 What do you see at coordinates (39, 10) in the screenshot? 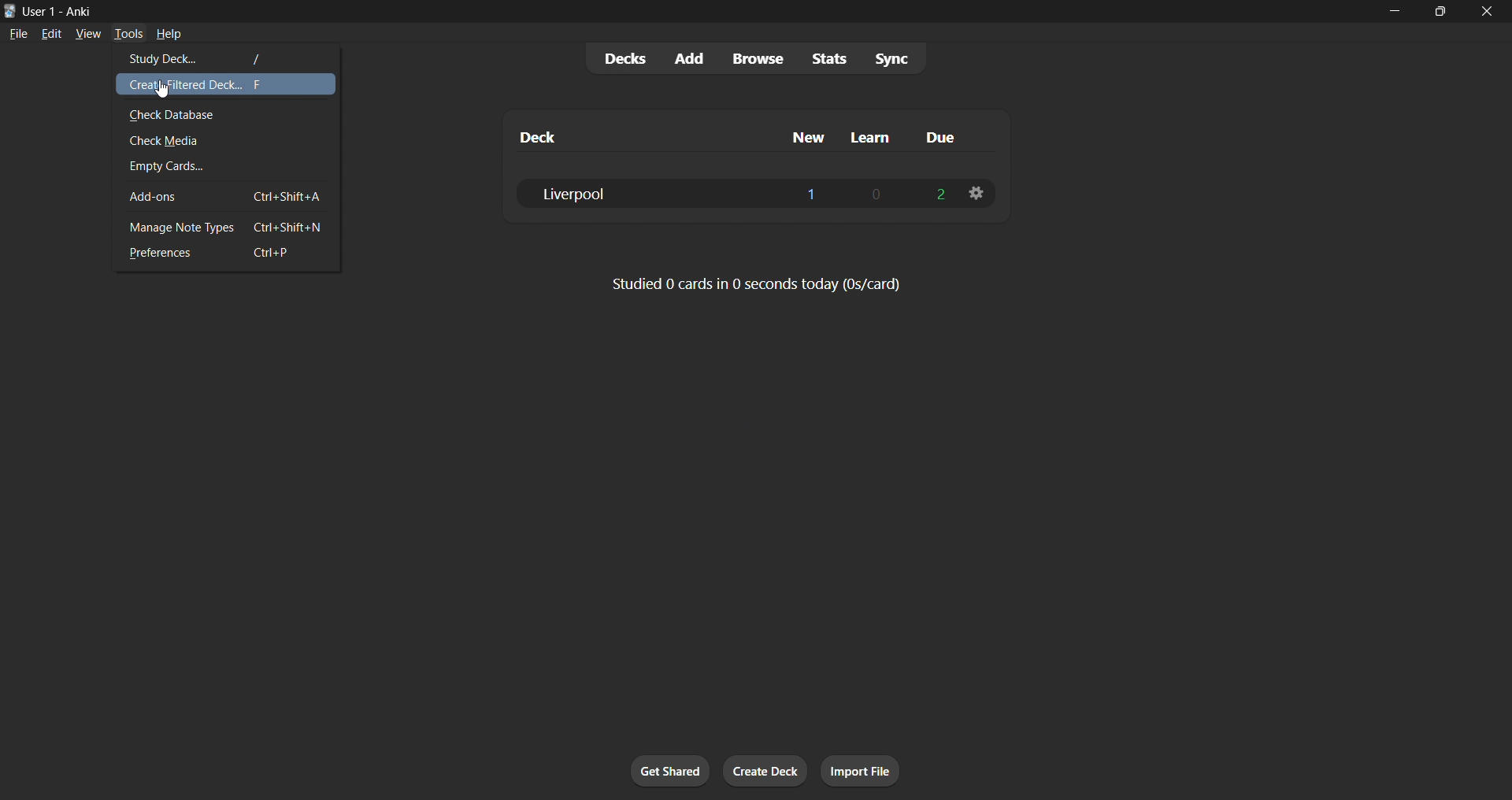
I see `User 1` at bounding box center [39, 10].